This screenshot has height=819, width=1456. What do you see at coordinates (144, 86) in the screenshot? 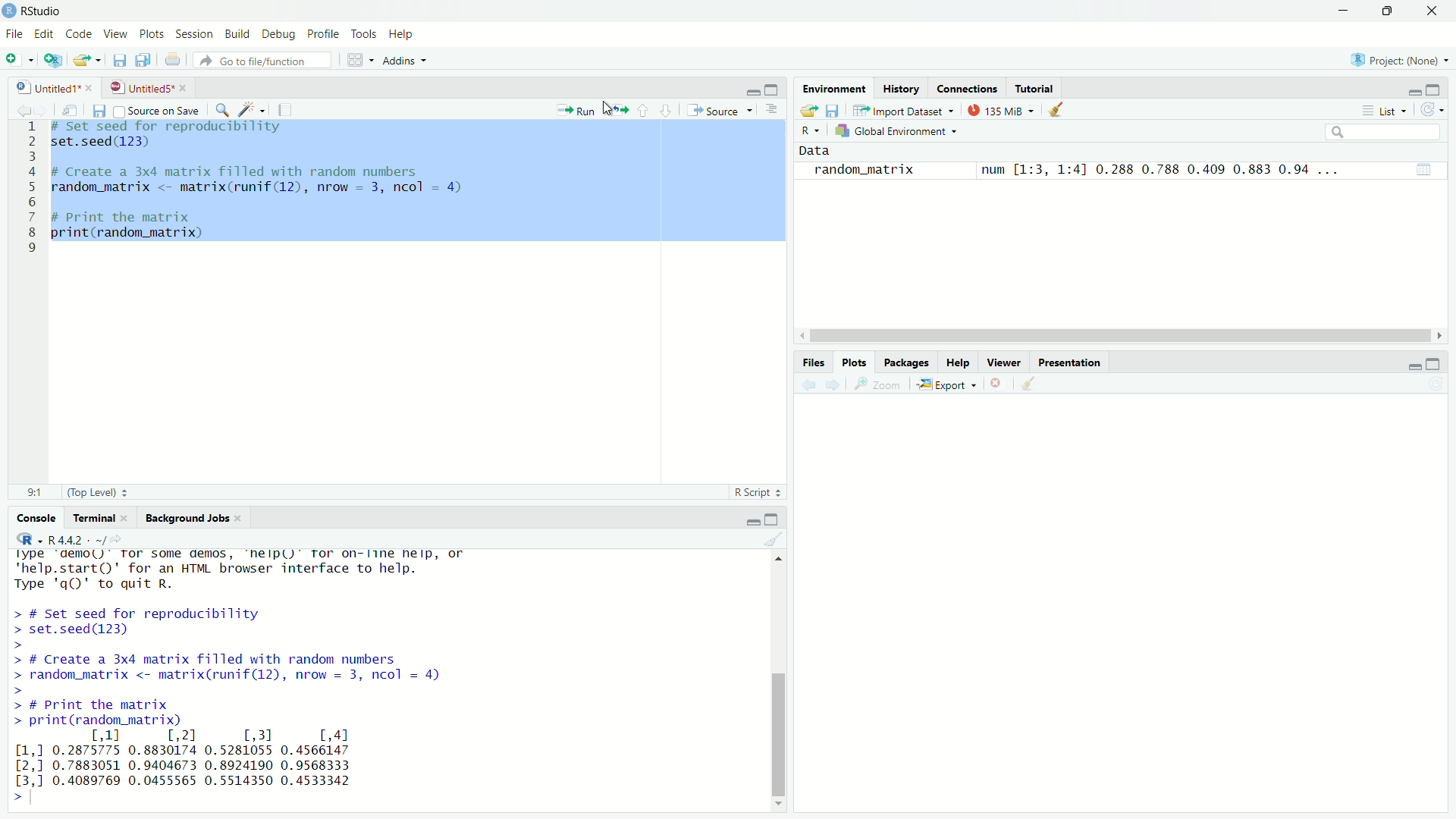
I see `UntitledS*` at bounding box center [144, 86].